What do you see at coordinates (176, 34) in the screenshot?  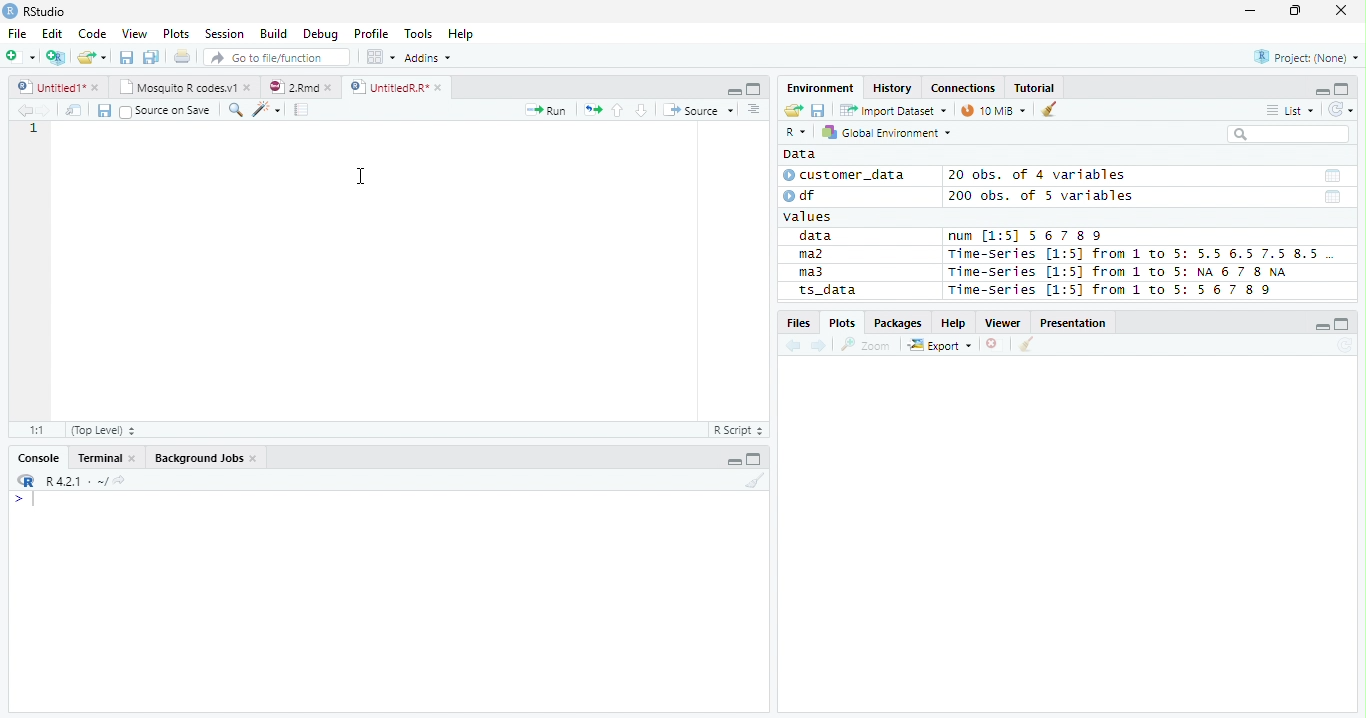 I see `Plots` at bounding box center [176, 34].